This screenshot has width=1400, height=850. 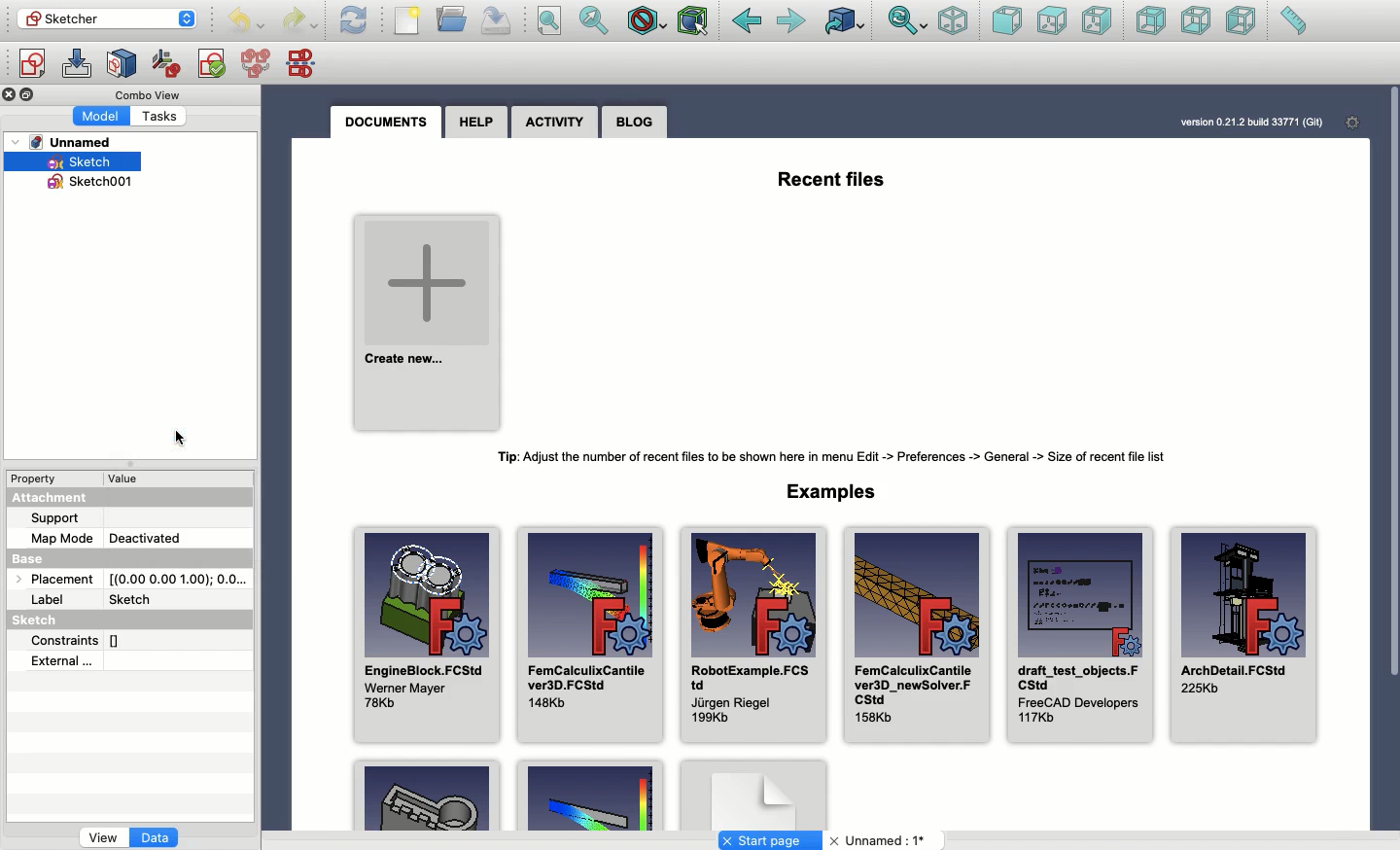 I want to click on Front, so click(x=1007, y=22).